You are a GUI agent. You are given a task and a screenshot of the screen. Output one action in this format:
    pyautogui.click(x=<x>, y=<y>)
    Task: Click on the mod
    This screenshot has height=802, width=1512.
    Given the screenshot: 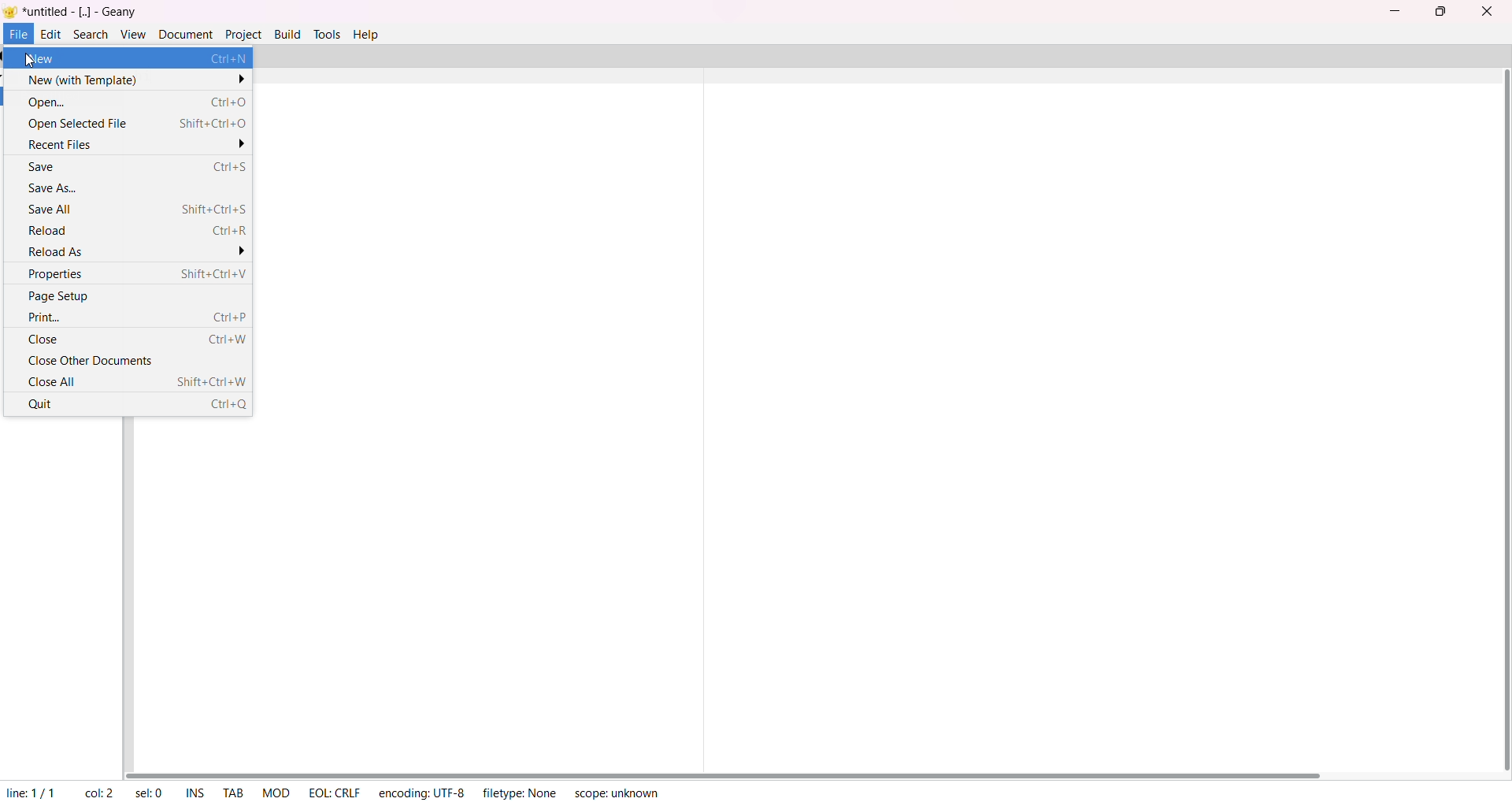 What is the action you would take?
    pyautogui.click(x=272, y=790)
    